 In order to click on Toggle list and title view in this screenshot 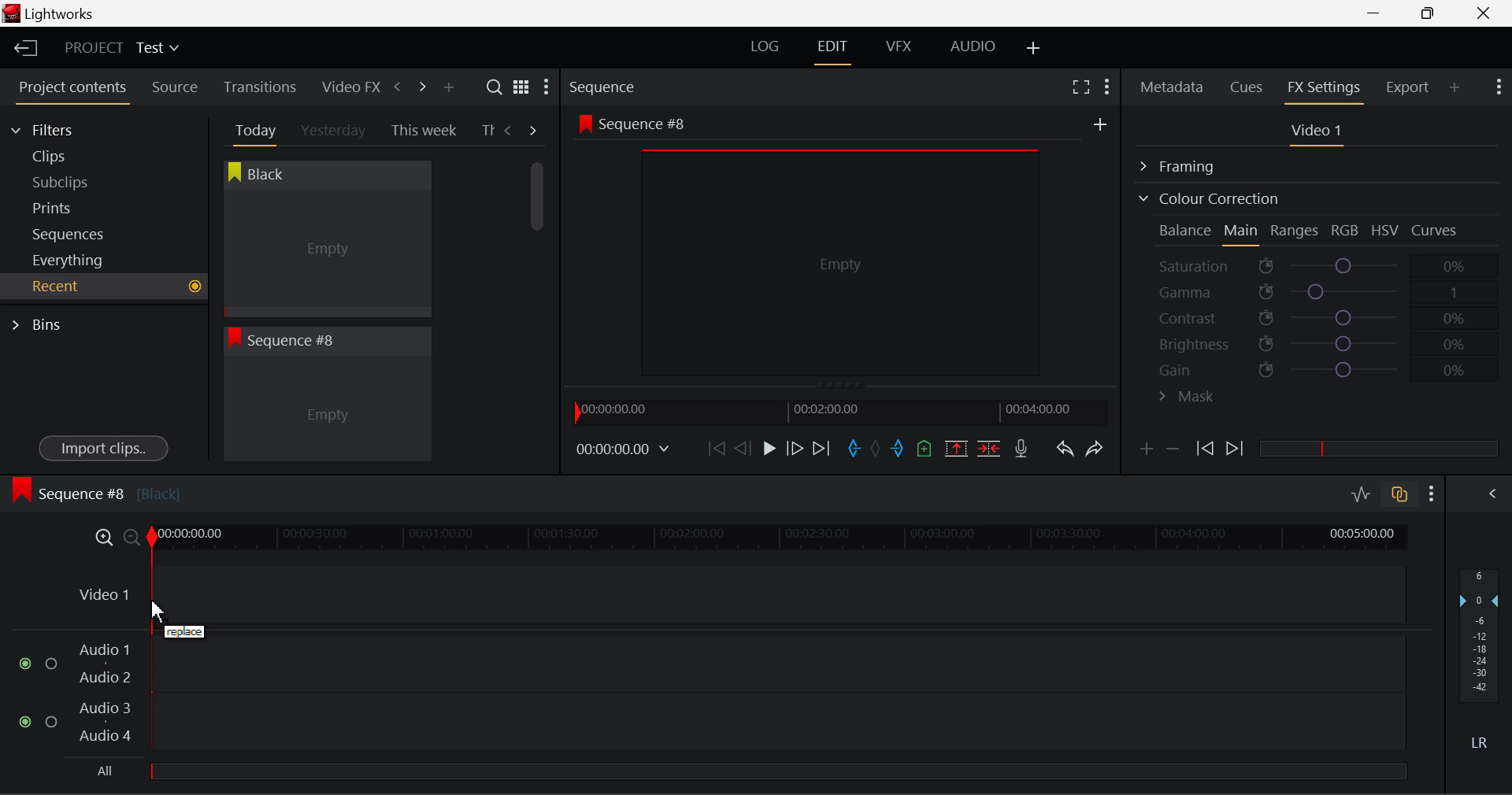, I will do `click(521, 87)`.